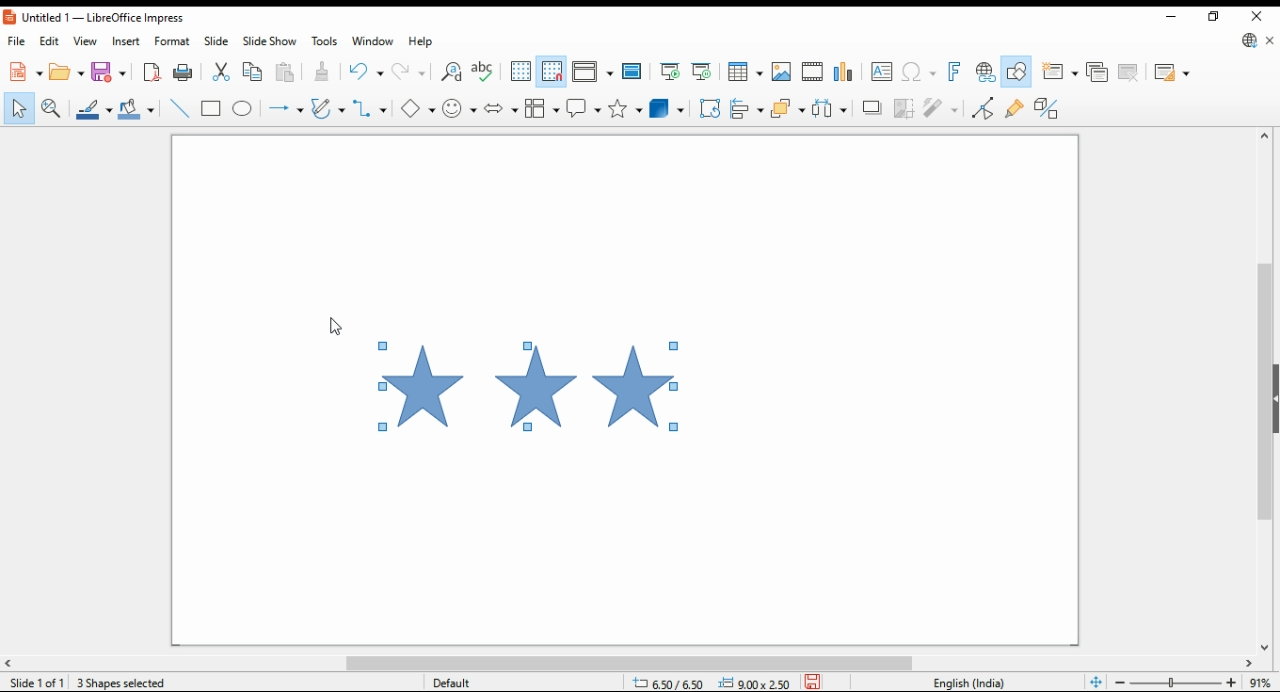 The width and height of the screenshot is (1280, 692). I want to click on toggle point edit mode, so click(982, 107).